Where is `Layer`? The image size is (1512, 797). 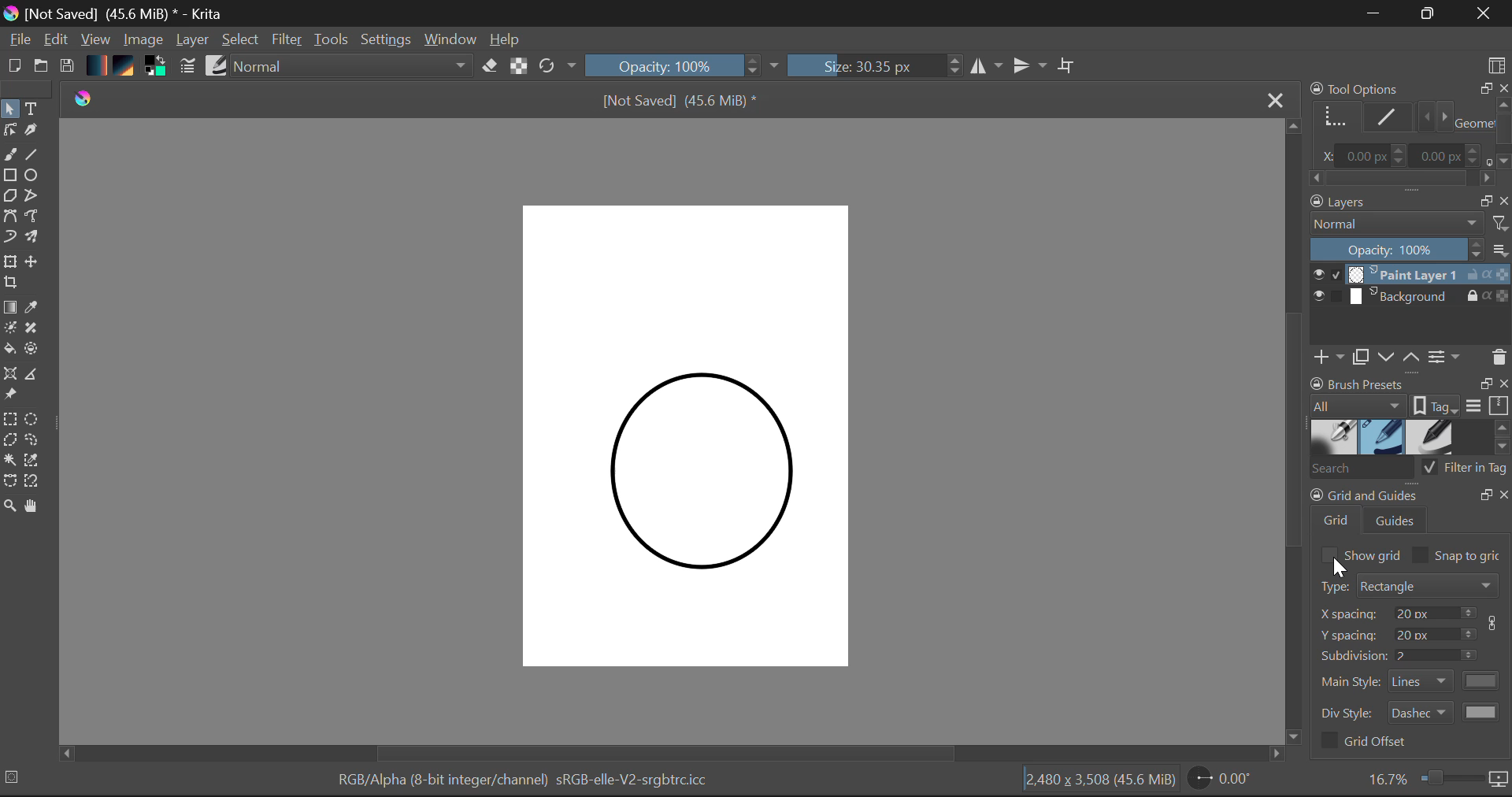 Layer is located at coordinates (194, 41).